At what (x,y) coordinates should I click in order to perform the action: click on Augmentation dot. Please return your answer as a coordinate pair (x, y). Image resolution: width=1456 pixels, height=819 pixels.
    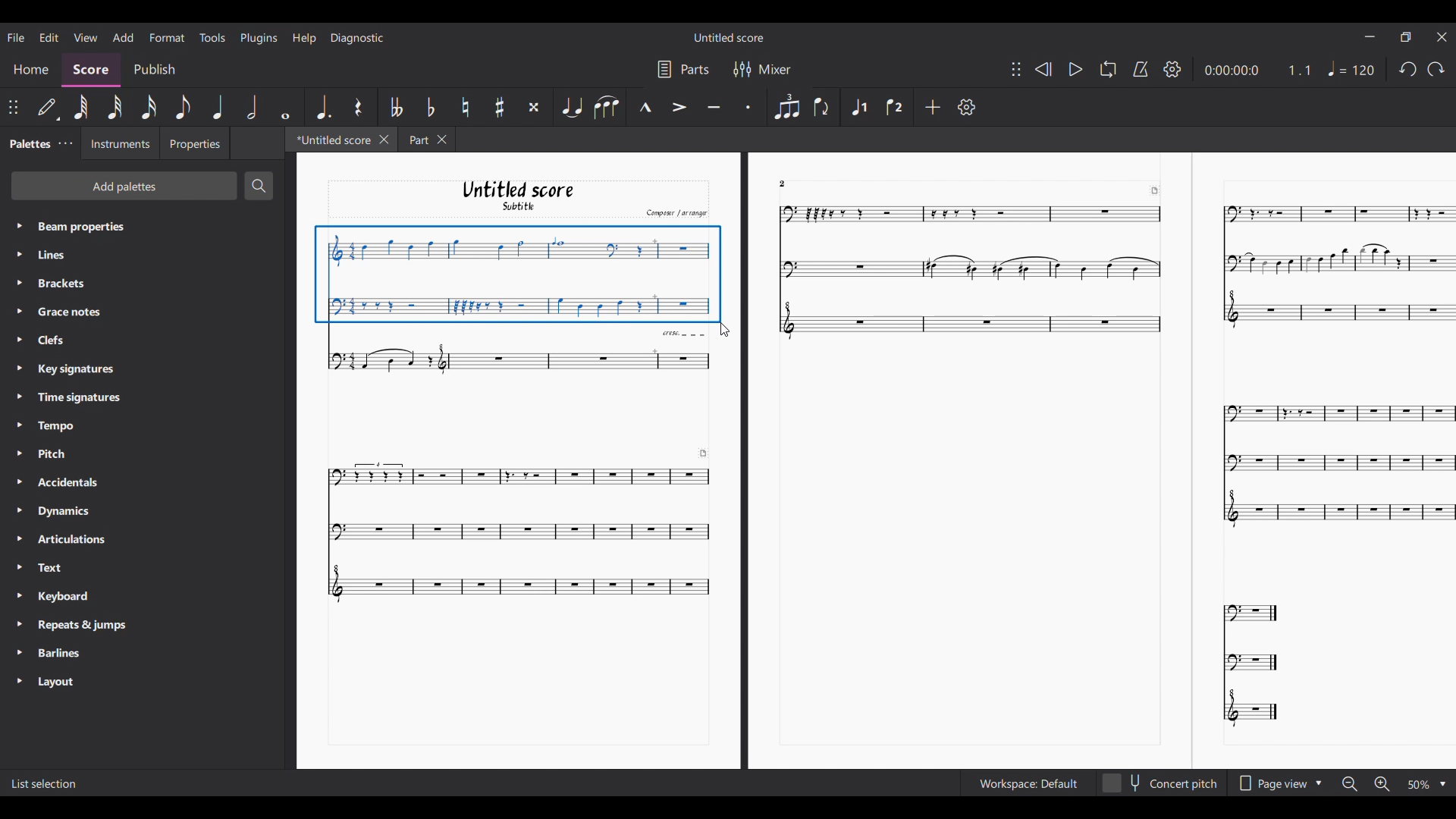
    Looking at the image, I should click on (322, 107).